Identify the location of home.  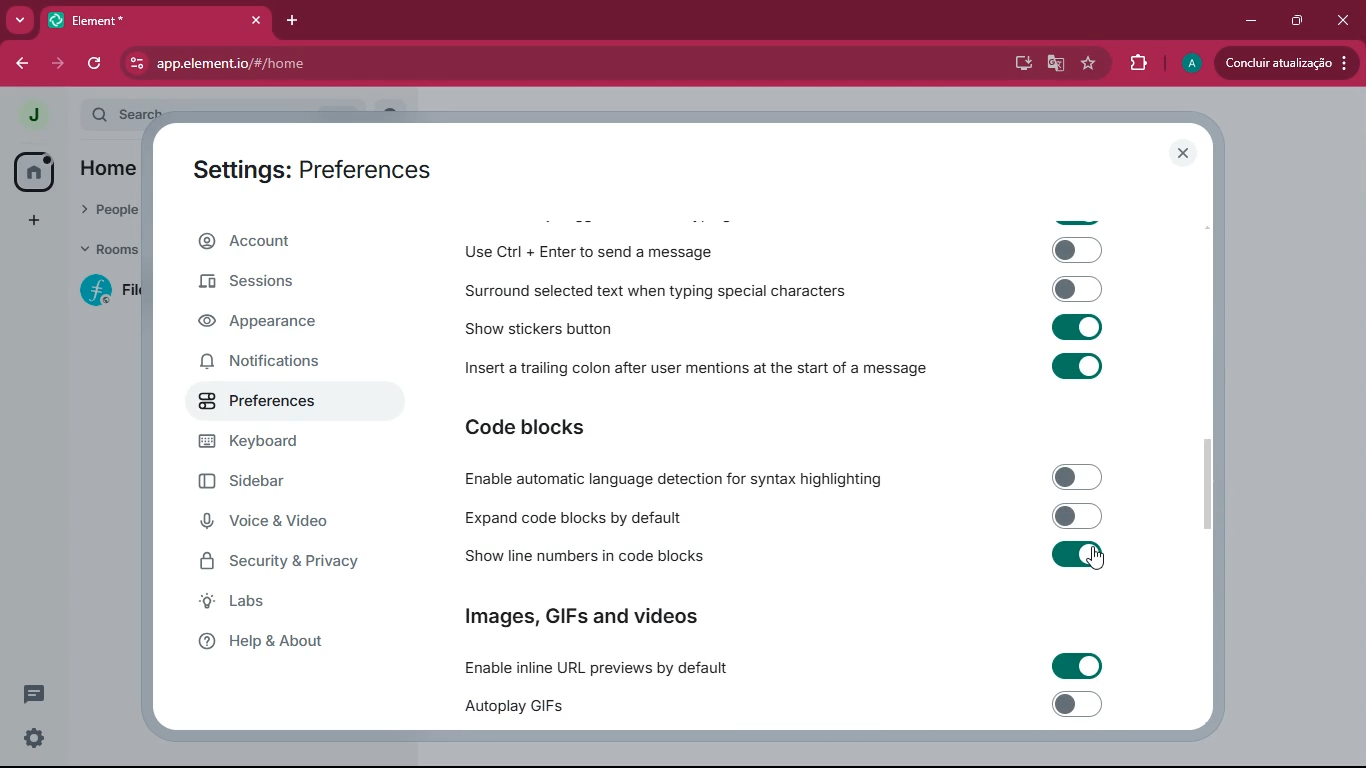
(32, 171).